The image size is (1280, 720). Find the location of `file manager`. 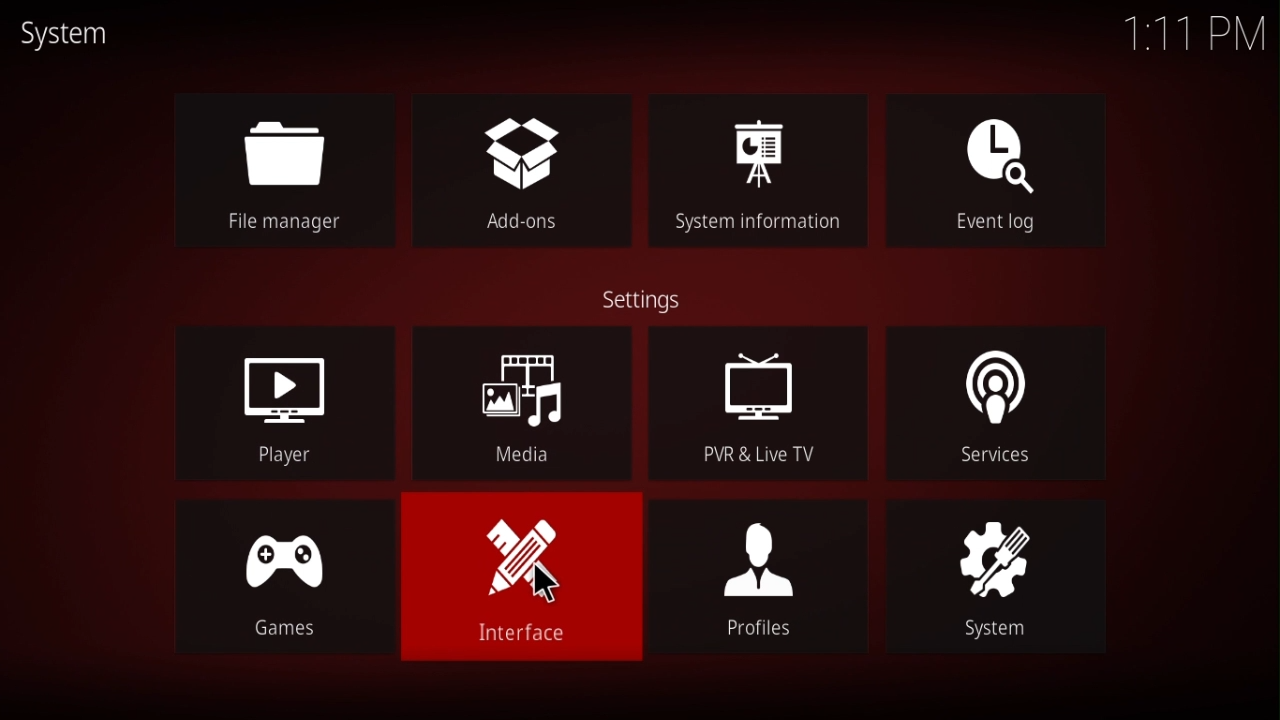

file manager is located at coordinates (287, 169).